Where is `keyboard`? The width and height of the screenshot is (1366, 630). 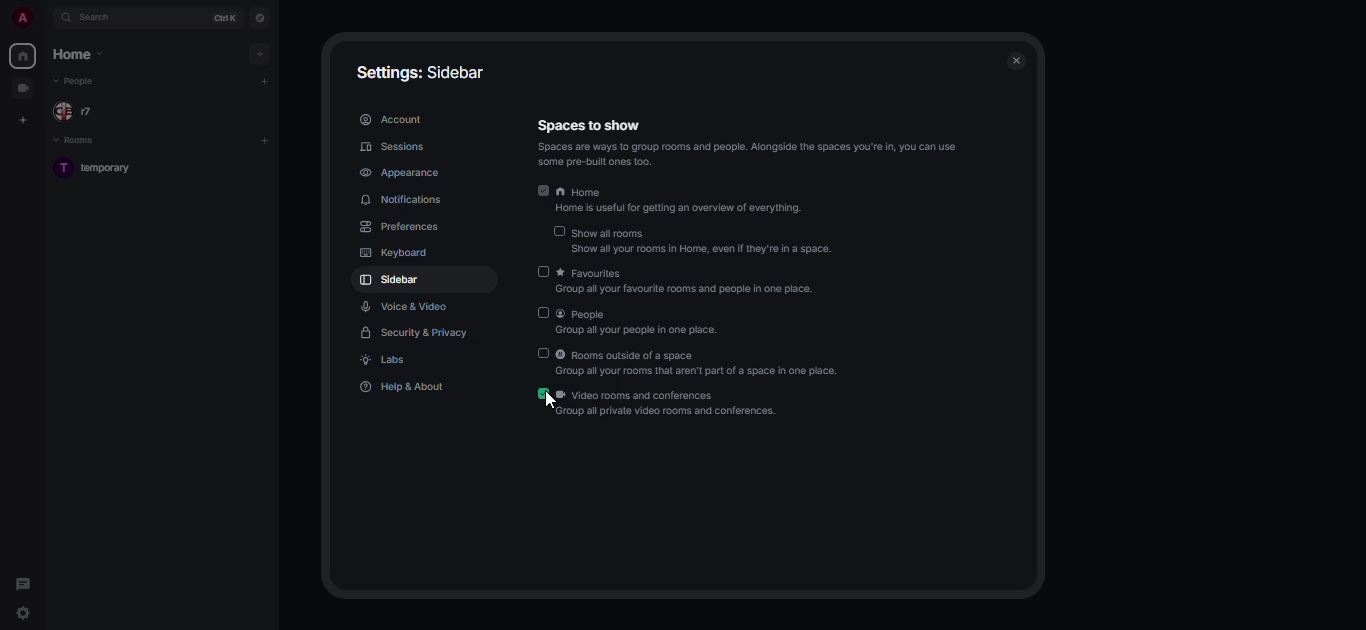
keyboard is located at coordinates (395, 253).